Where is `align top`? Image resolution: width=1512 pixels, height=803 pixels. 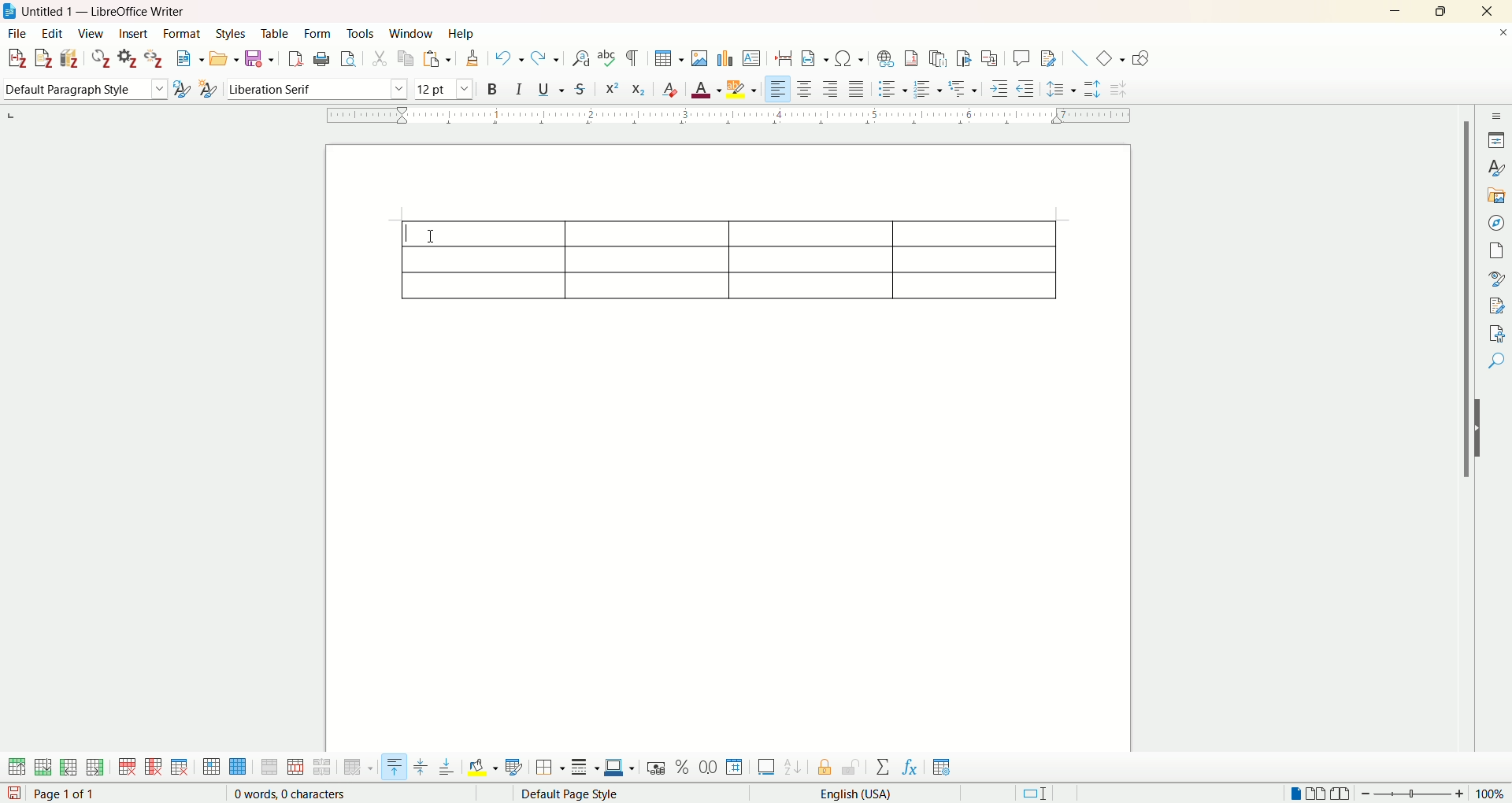
align top is located at coordinates (396, 768).